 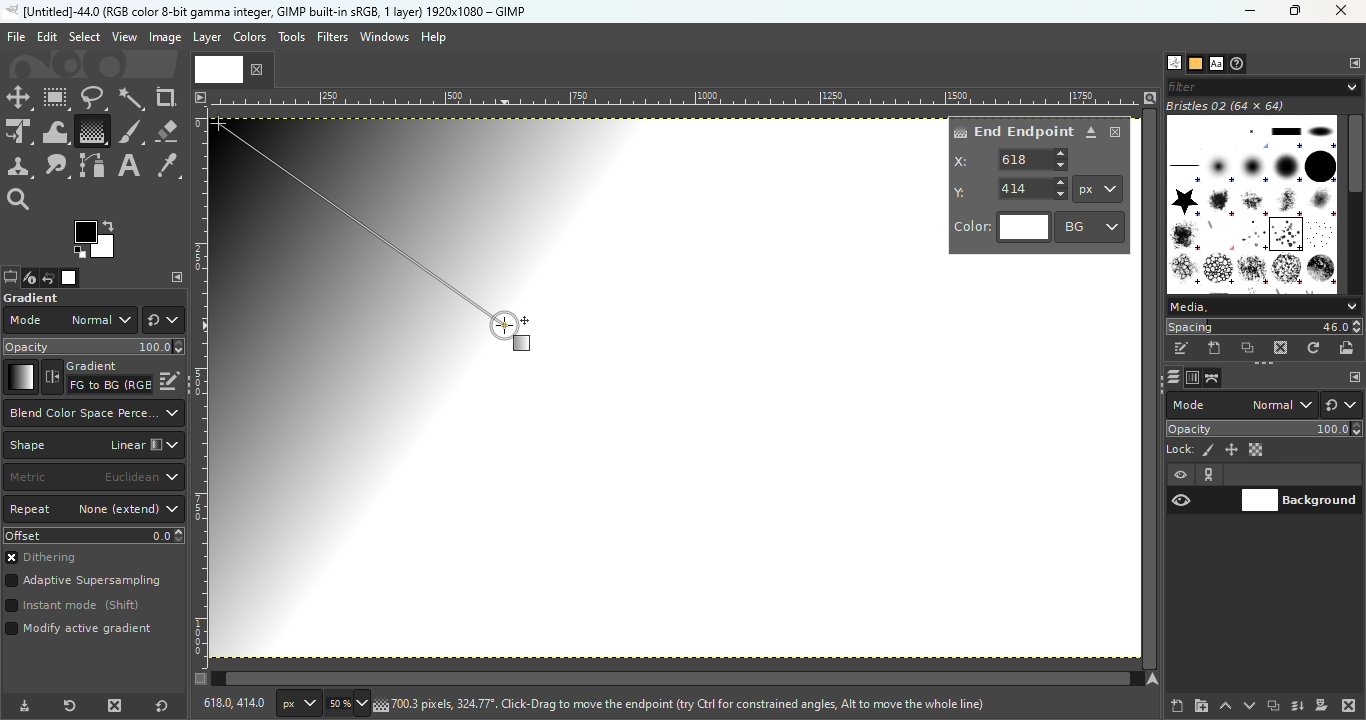 I want to click on Refresh brushes, so click(x=1314, y=348).